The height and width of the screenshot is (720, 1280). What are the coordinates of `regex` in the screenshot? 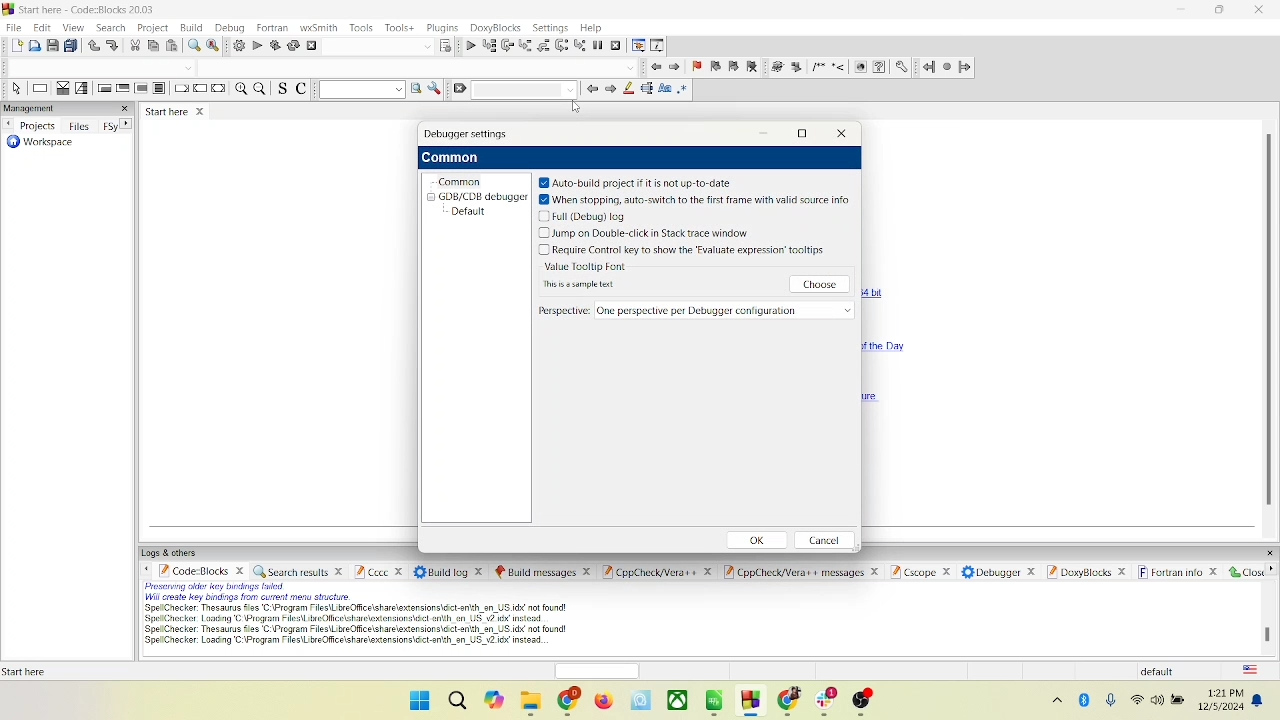 It's located at (683, 90).